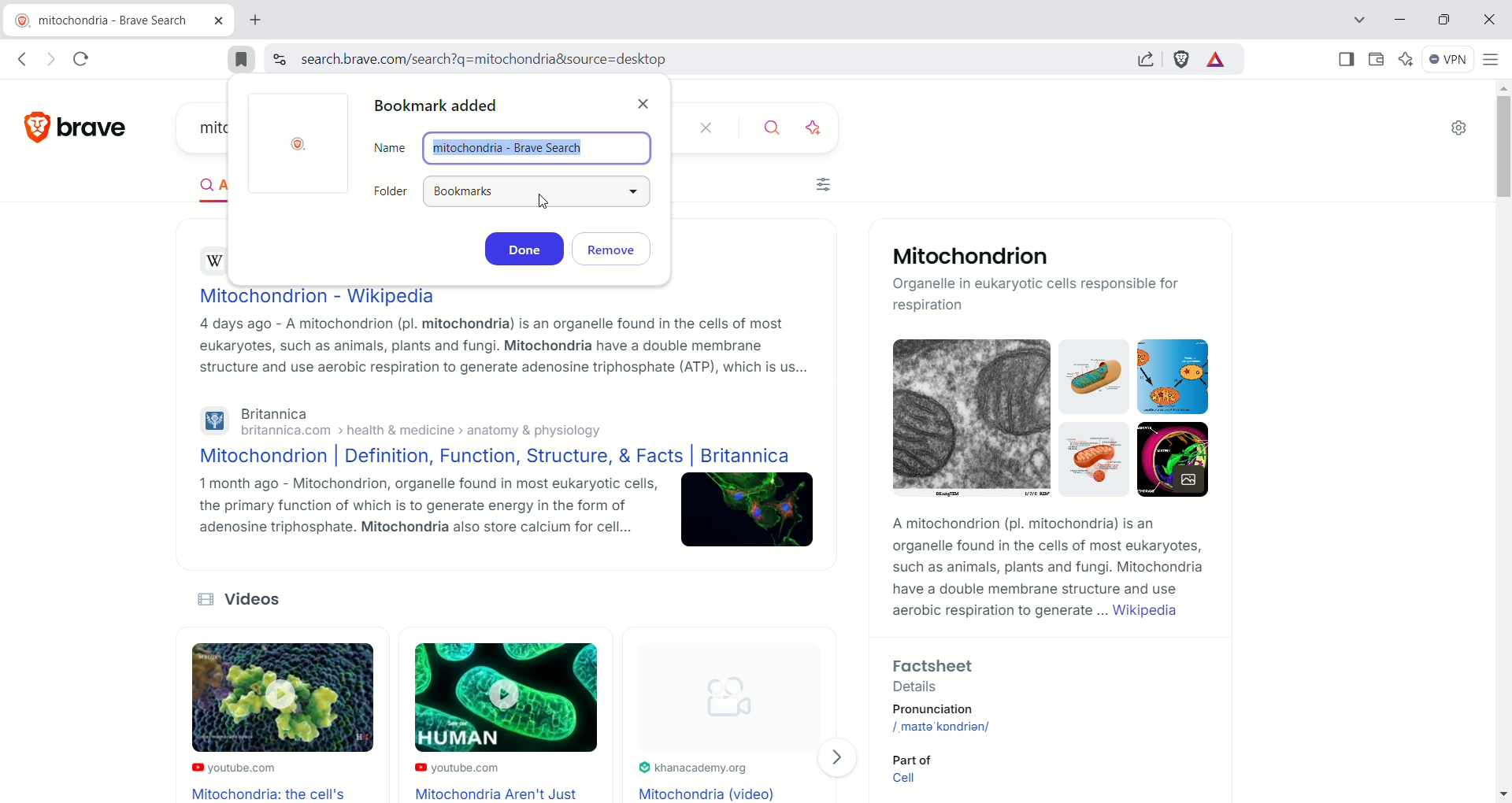 The image size is (1512, 803). I want to click on close, so click(703, 128).